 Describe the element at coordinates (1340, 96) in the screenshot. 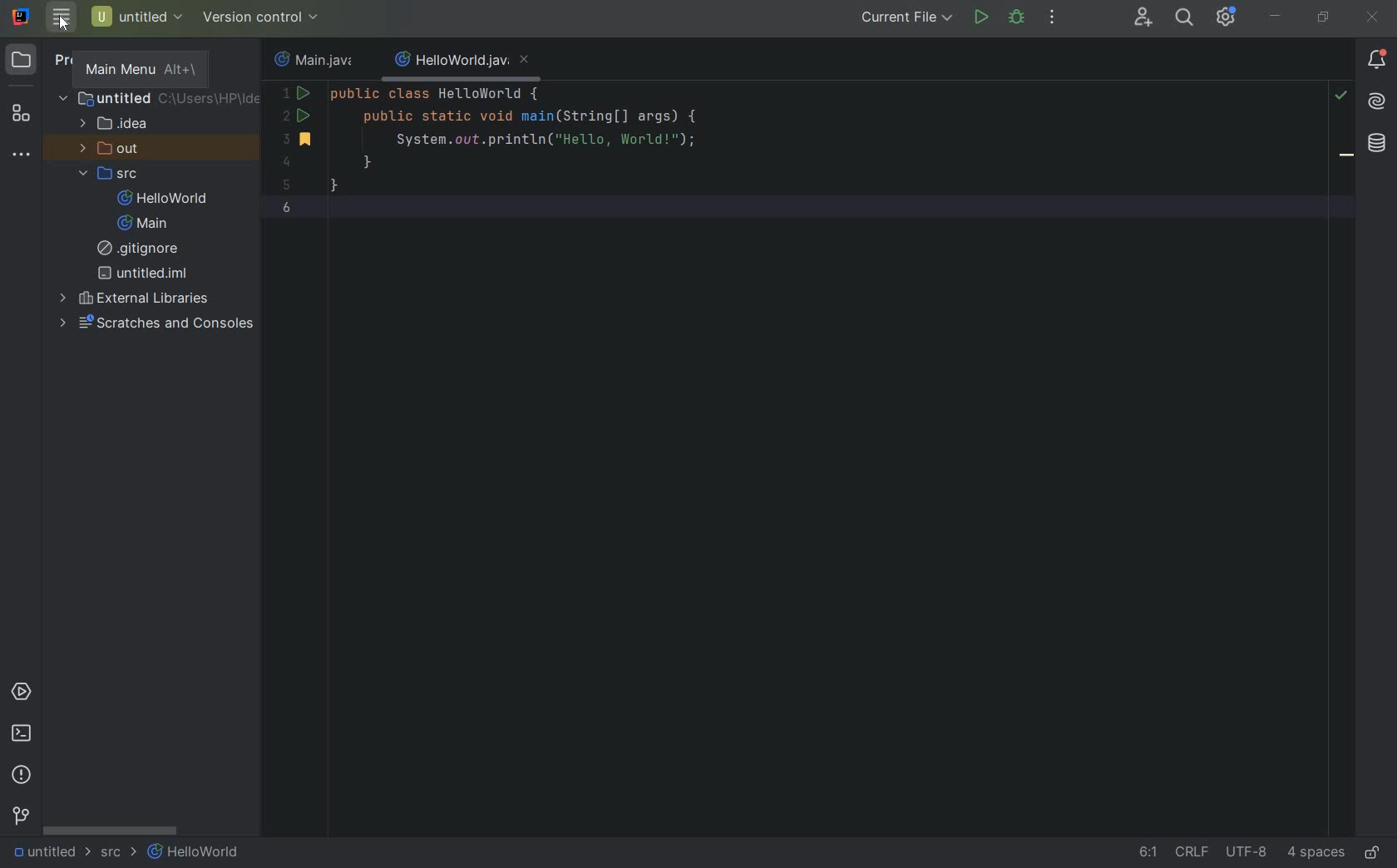

I see `highlight problems` at that location.